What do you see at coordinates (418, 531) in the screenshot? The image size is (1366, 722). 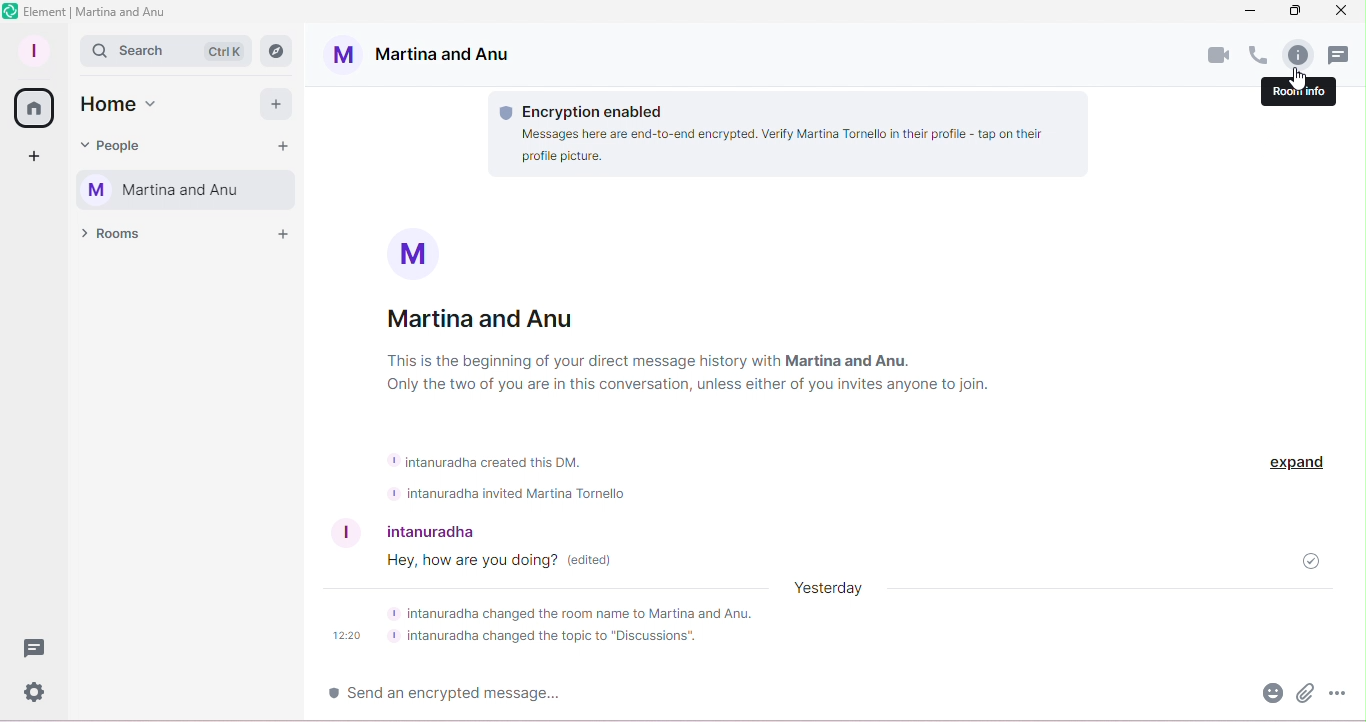 I see `intanuradha` at bounding box center [418, 531].